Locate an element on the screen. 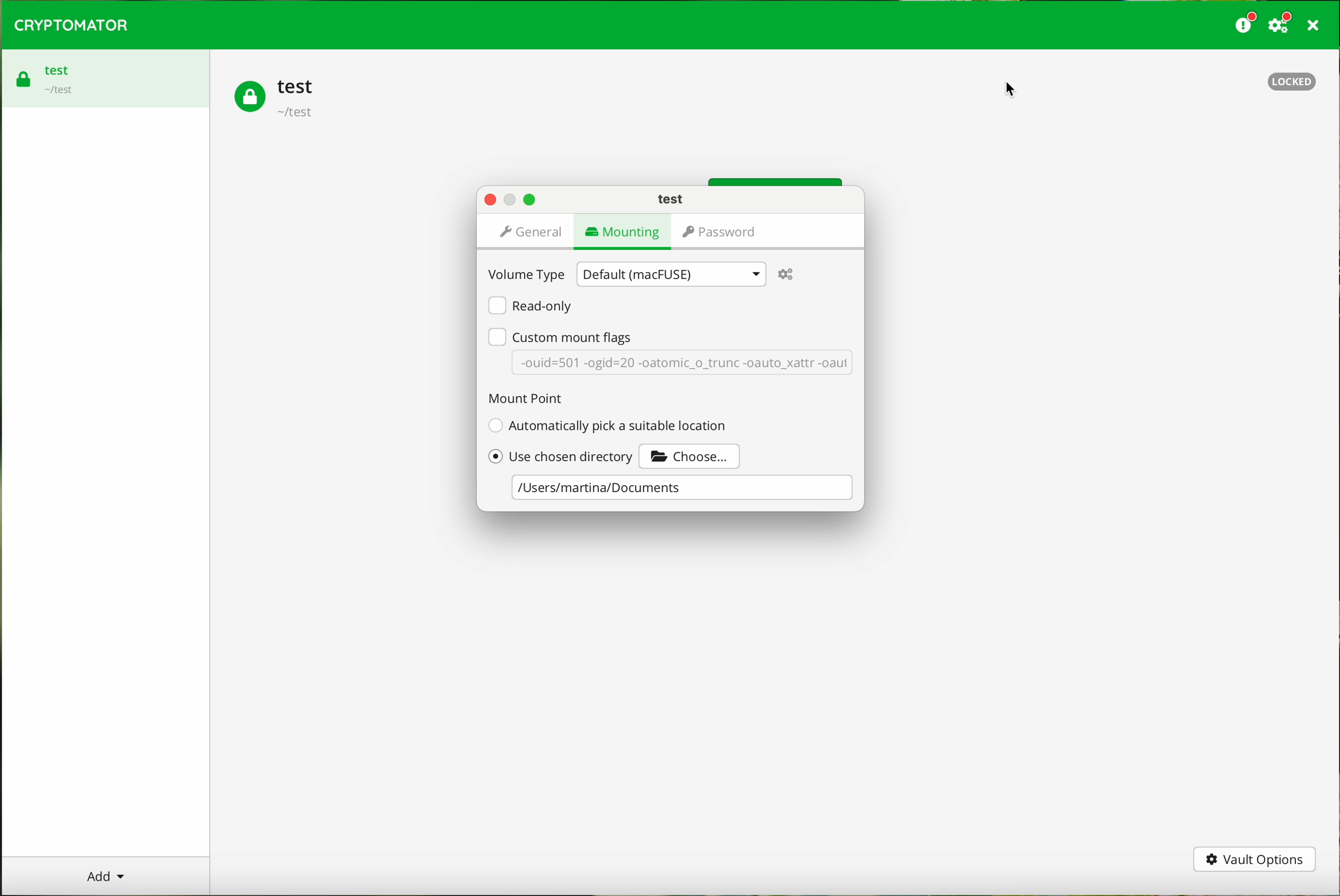 This screenshot has height=896, width=1340. test vault is located at coordinates (279, 97).